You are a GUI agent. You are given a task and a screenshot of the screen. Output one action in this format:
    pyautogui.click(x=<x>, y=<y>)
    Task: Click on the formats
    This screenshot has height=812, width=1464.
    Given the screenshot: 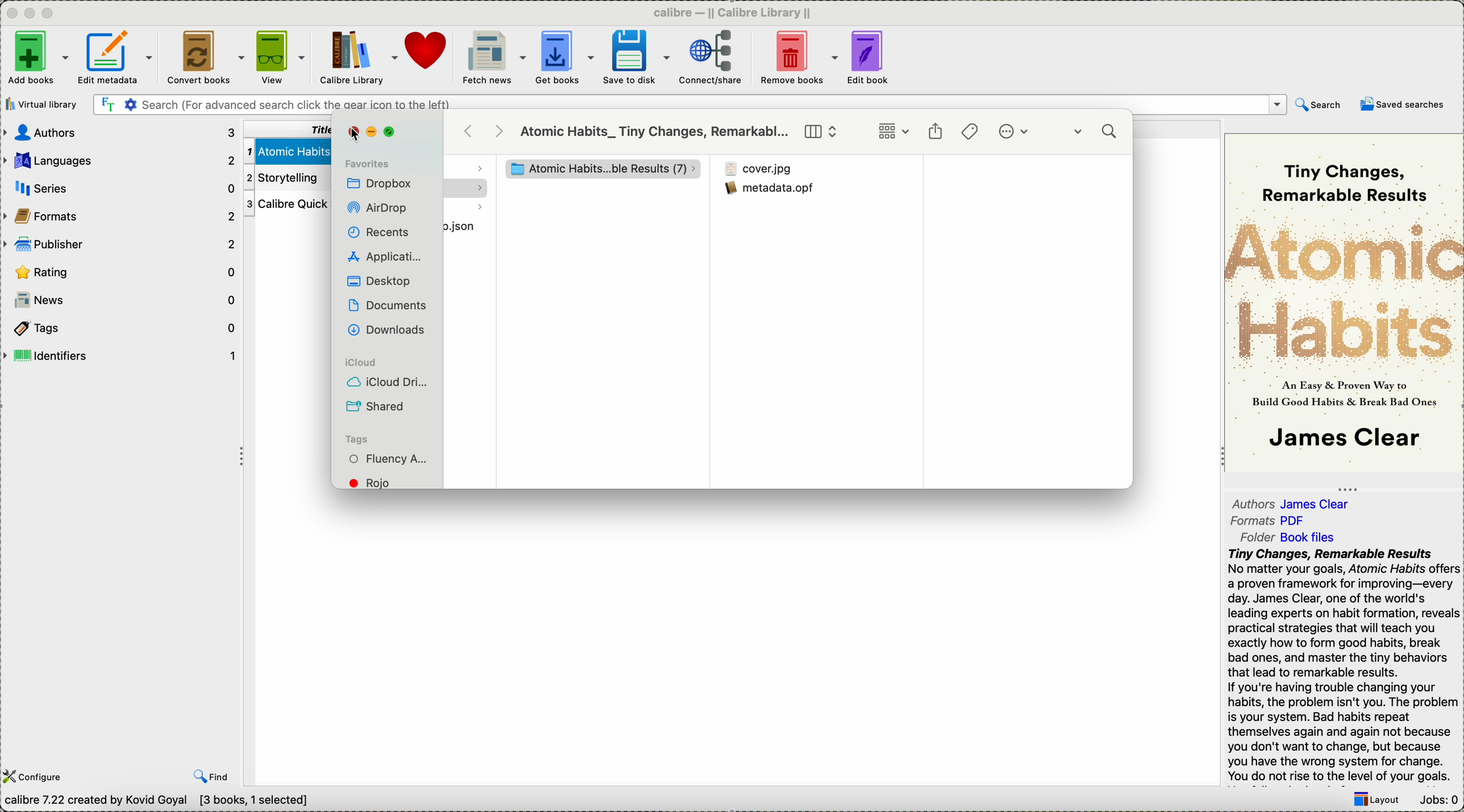 What is the action you would take?
    pyautogui.click(x=121, y=215)
    